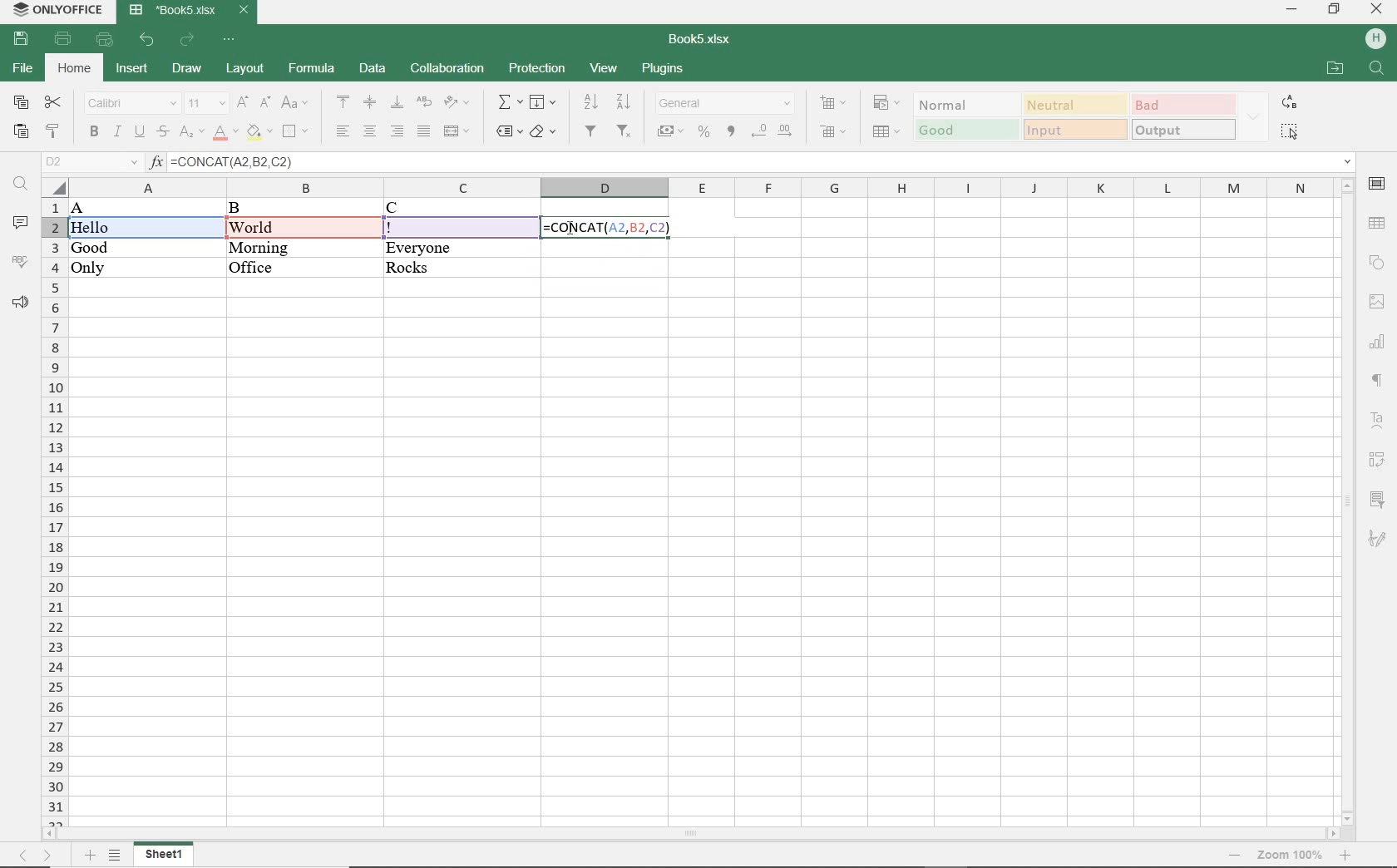 The height and width of the screenshot is (868, 1397). I want to click on Function, so click(155, 163).